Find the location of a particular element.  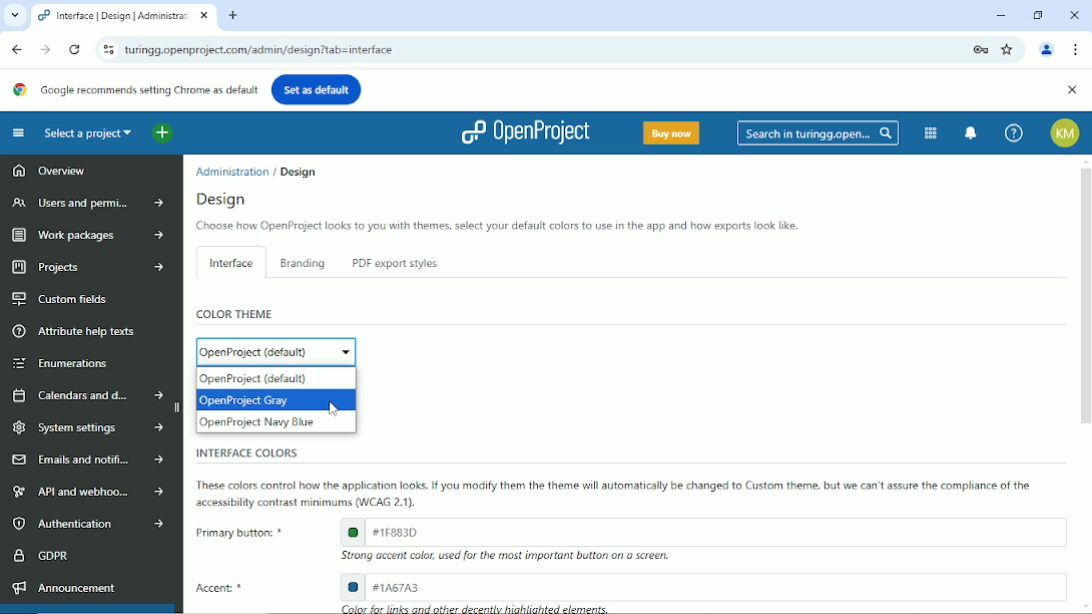

Color theme is located at coordinates (236, 314).